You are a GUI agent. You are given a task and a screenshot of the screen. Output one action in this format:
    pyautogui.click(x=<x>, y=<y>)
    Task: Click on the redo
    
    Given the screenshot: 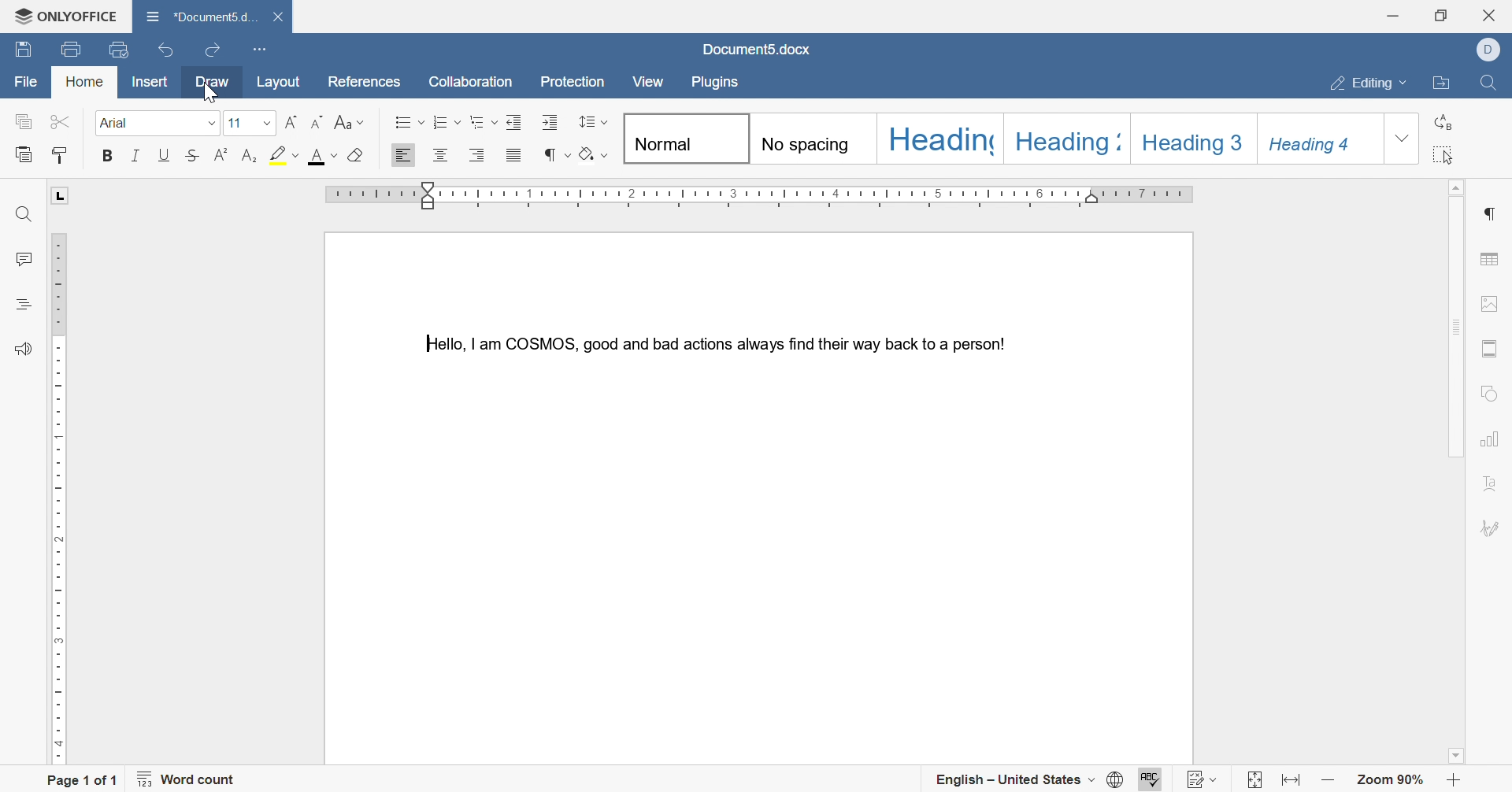 What is the action you would take?
    pyautogui.click(x=213, y=46)
    